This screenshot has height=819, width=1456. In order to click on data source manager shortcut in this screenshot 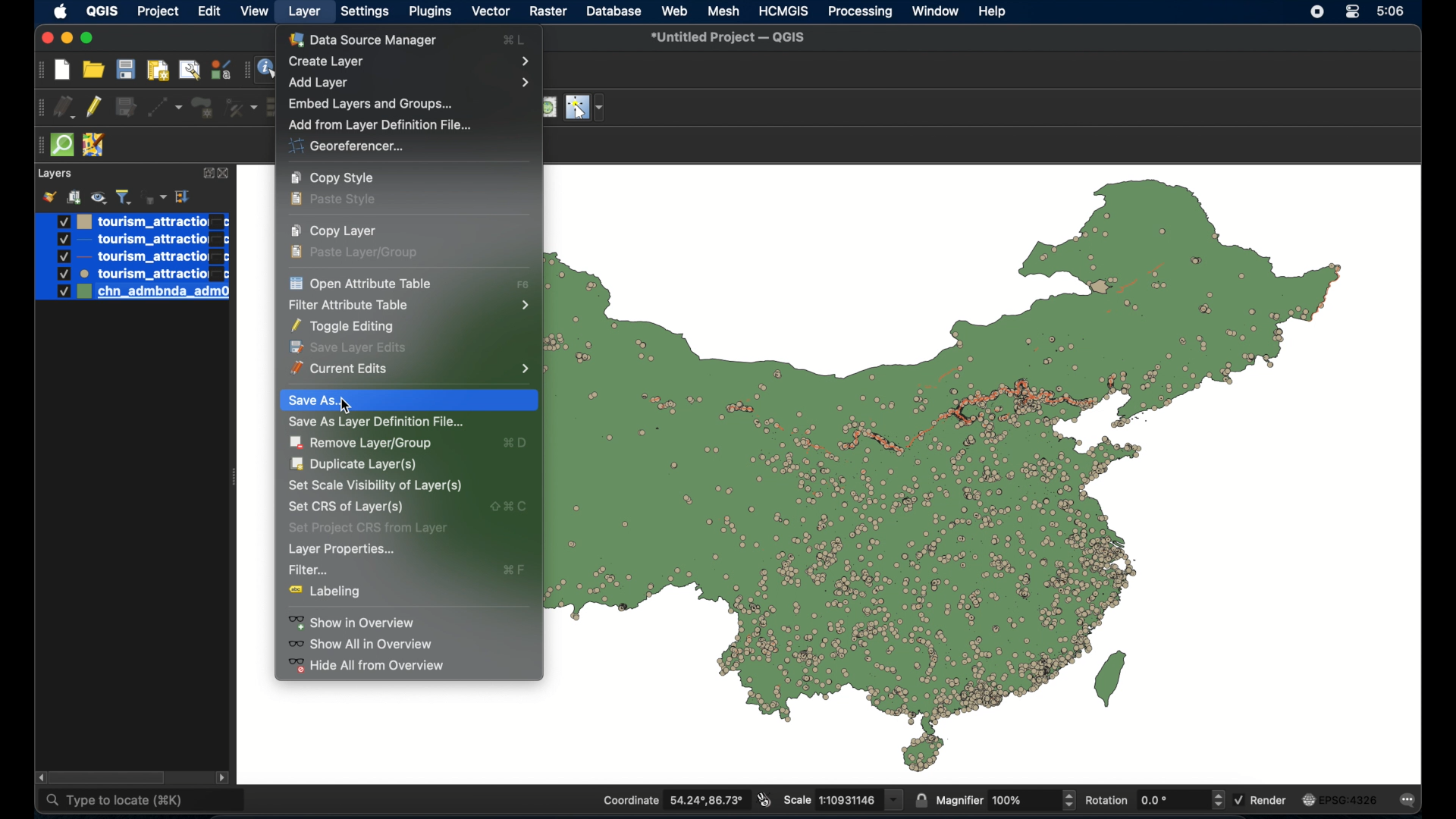, I will do `click(513, 39)`.